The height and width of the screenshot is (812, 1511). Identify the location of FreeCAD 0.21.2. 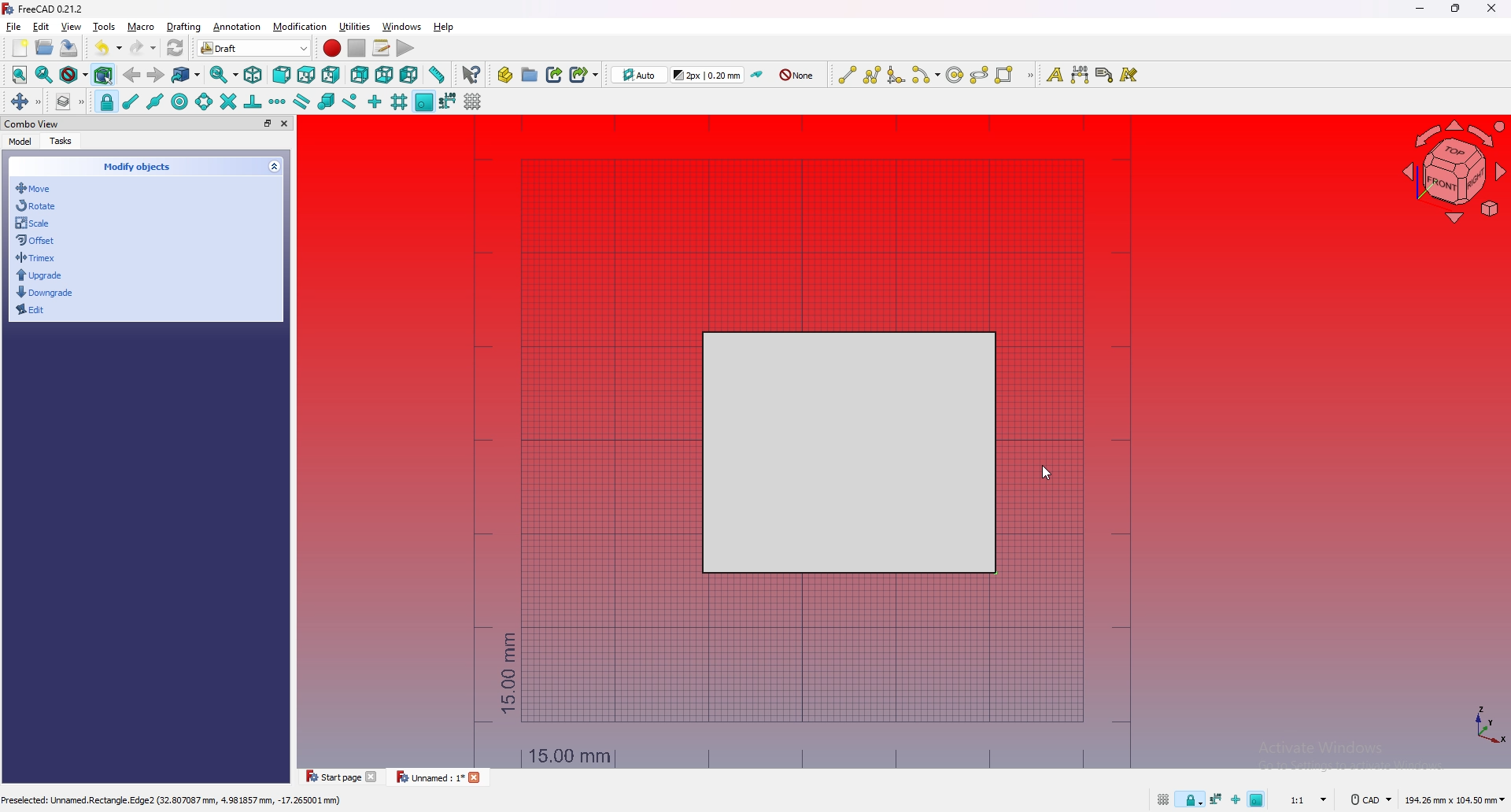
(43, 9).